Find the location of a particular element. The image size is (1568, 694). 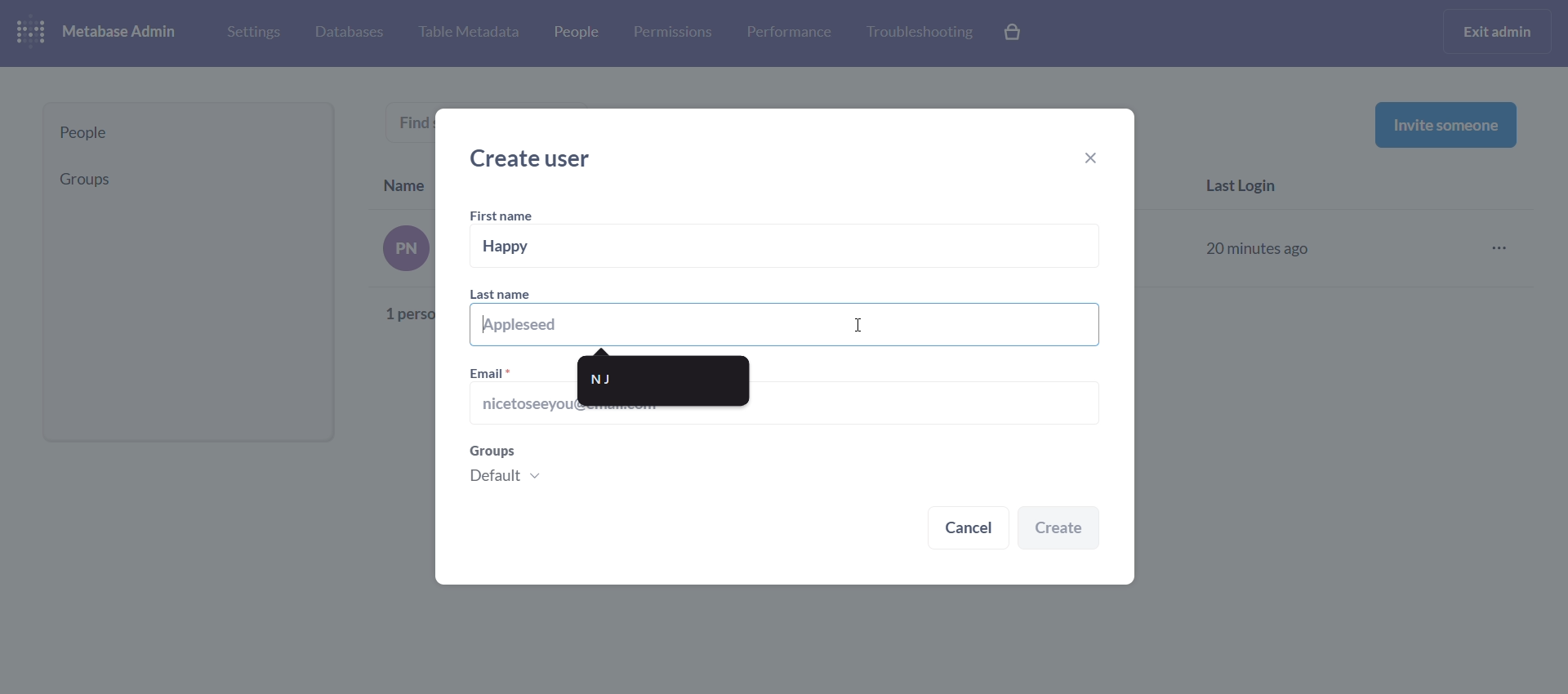

database is located at coordinates (346, 33).